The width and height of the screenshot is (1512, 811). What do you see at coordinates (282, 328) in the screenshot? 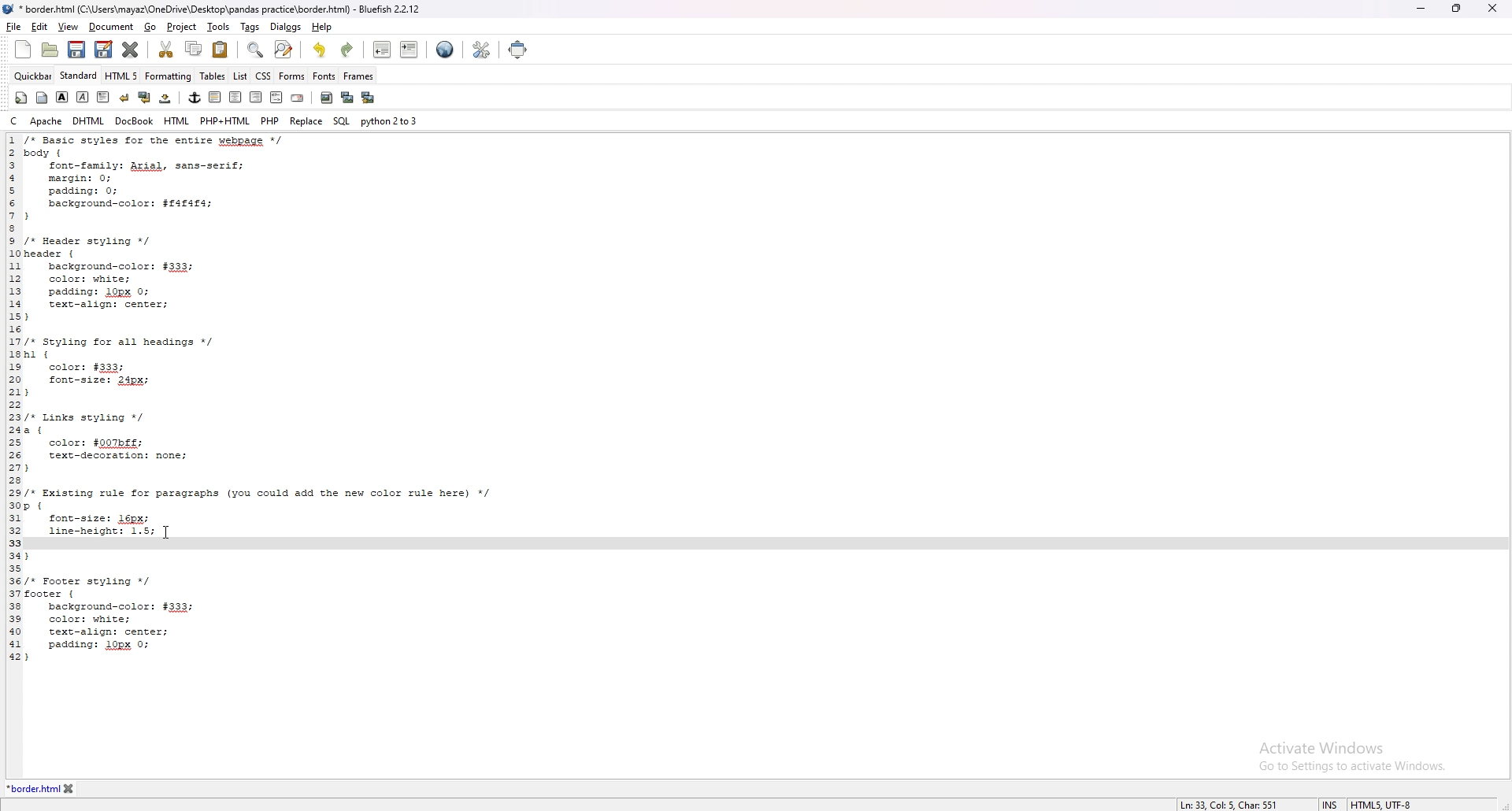
I see `code to change text color of all paragraphs` at bounding box center [282, 328].